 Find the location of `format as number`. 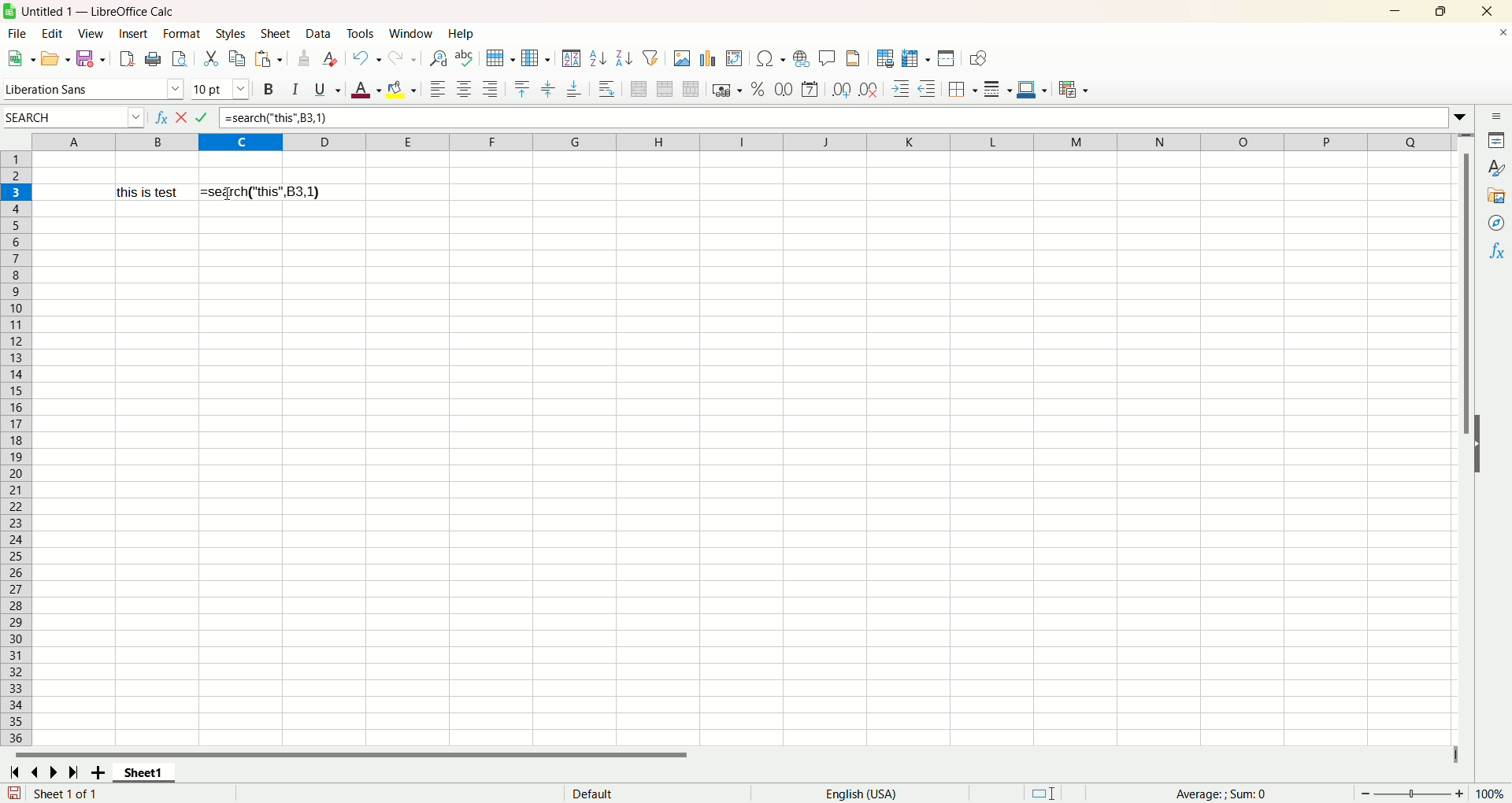

format as number is located at coordinates (784, 87).